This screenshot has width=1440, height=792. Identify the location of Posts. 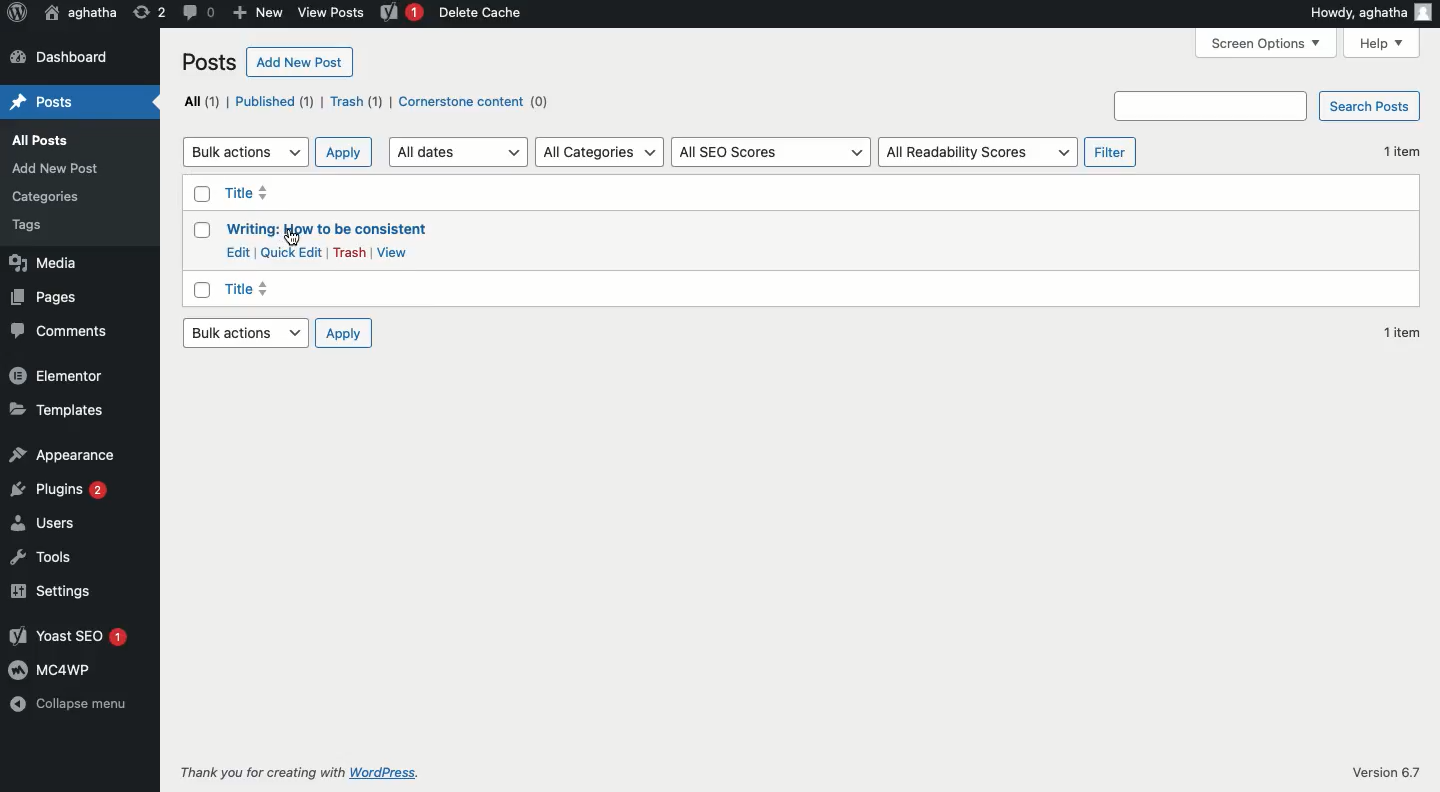
(79, 101).